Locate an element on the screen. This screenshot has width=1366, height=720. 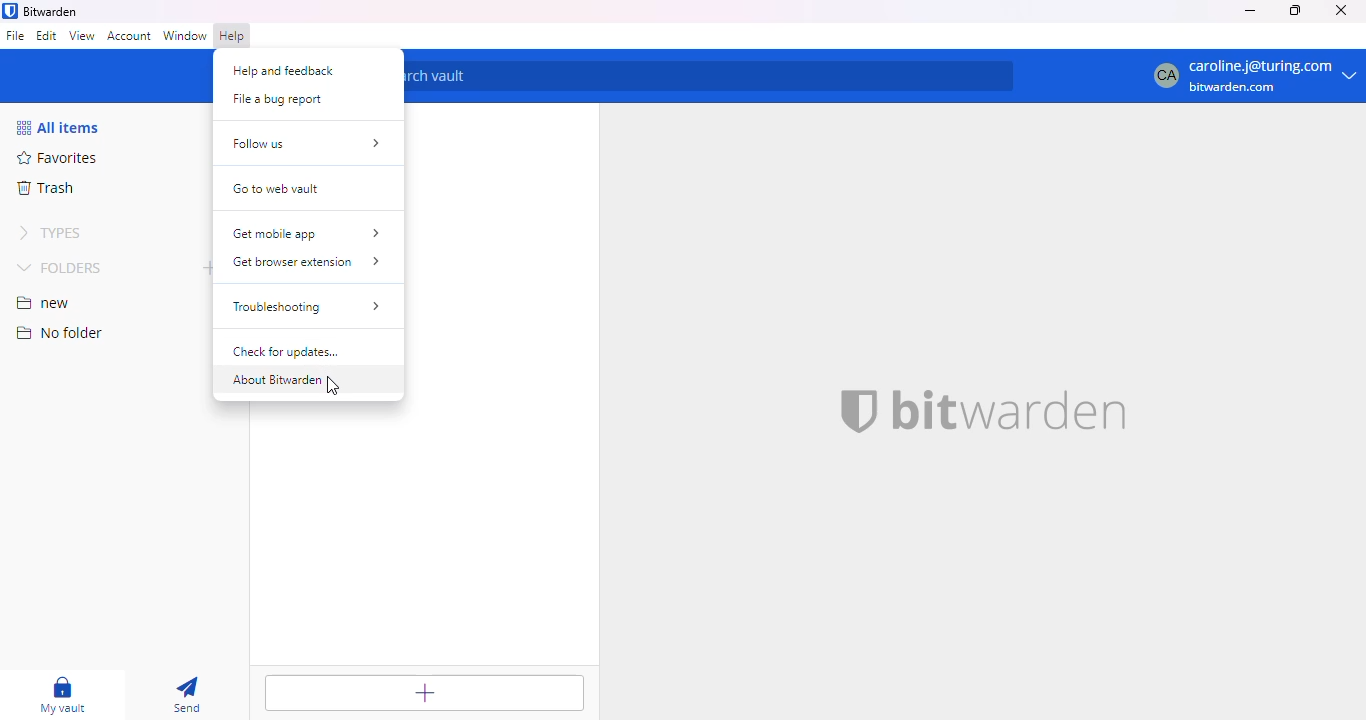
search vault is located at coordinates (709, 76).